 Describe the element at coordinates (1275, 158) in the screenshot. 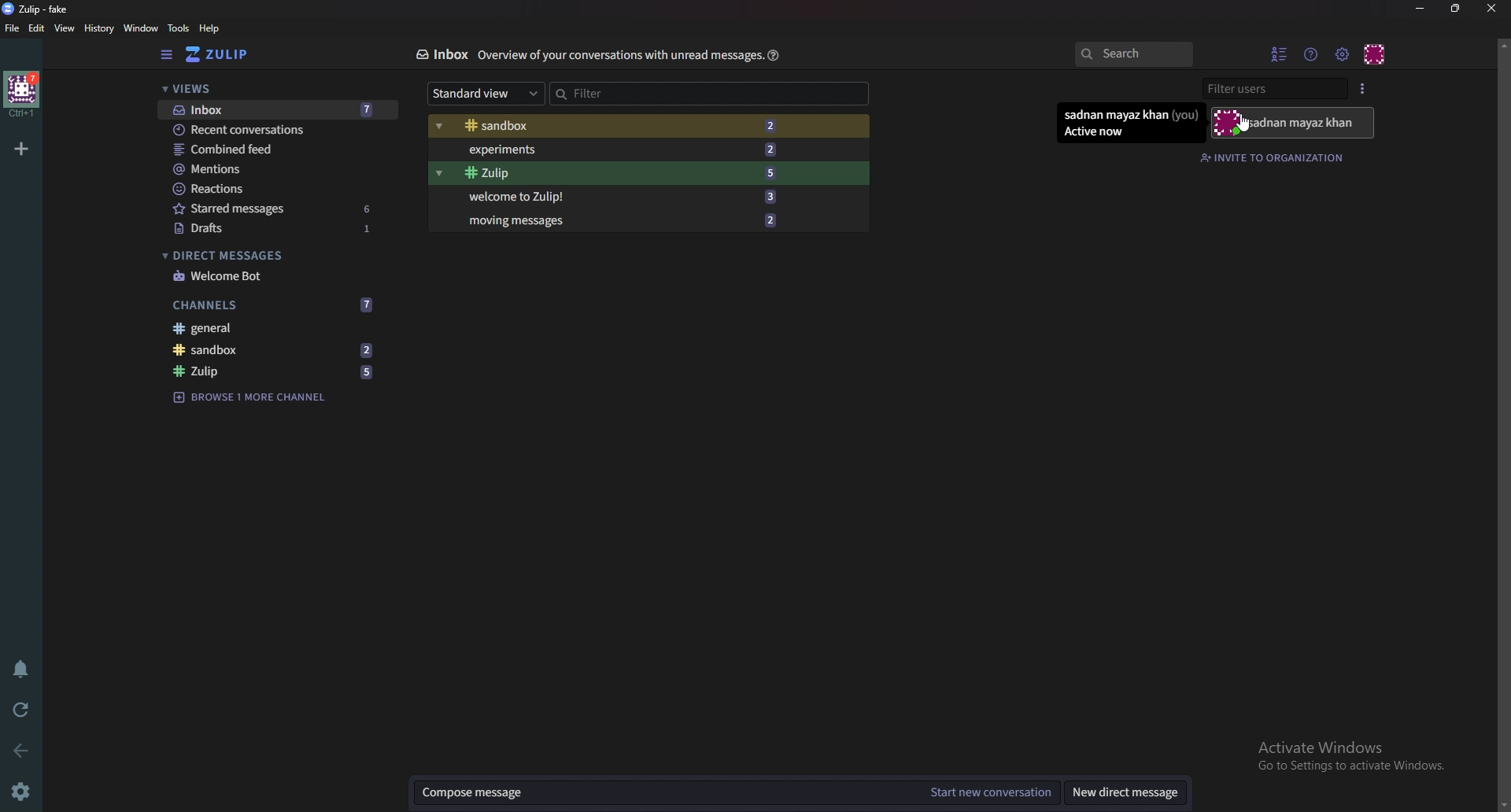

I see `Invite to organization` at that location.